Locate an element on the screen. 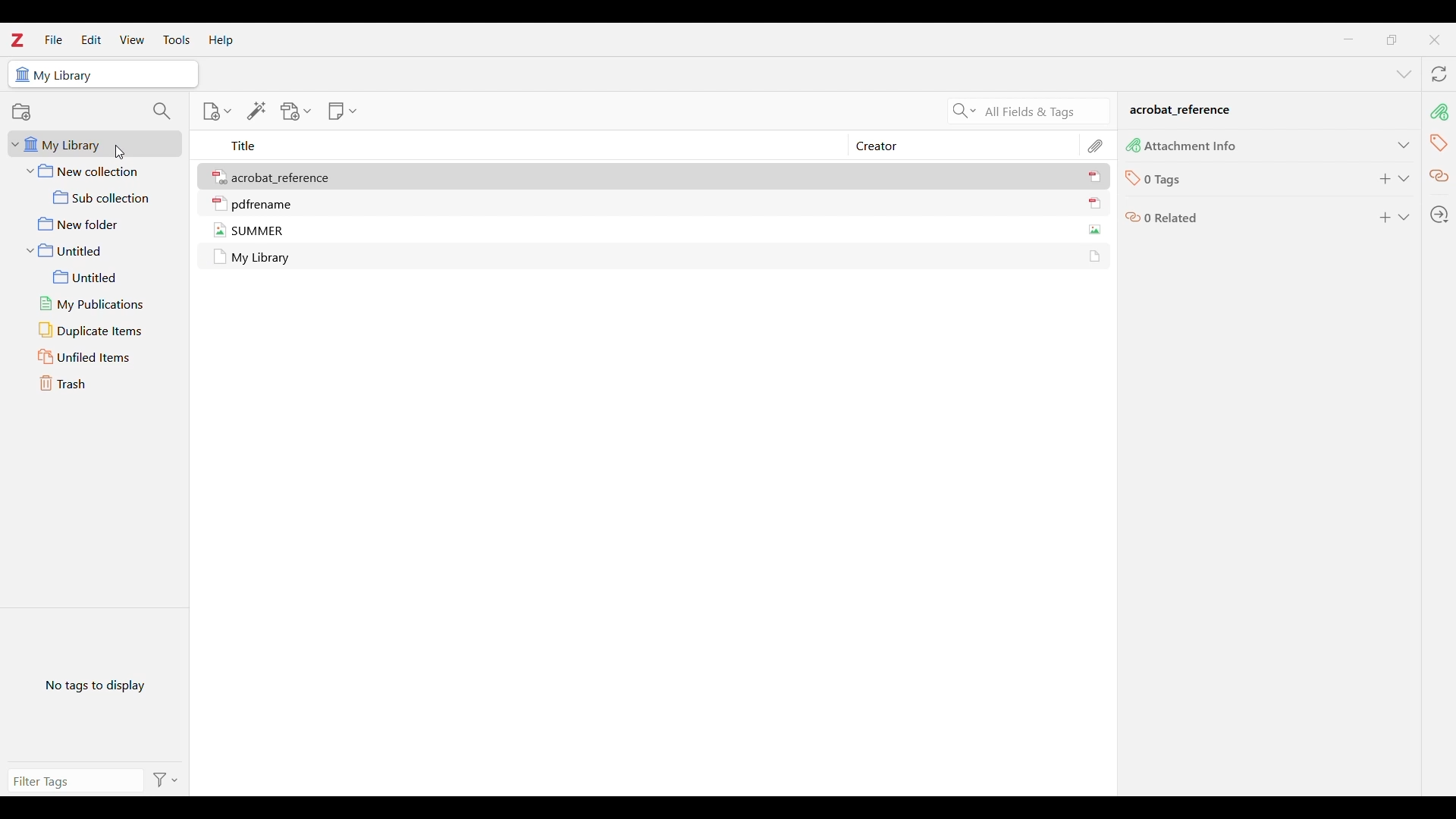  icon is located at coordinates (220, 230).